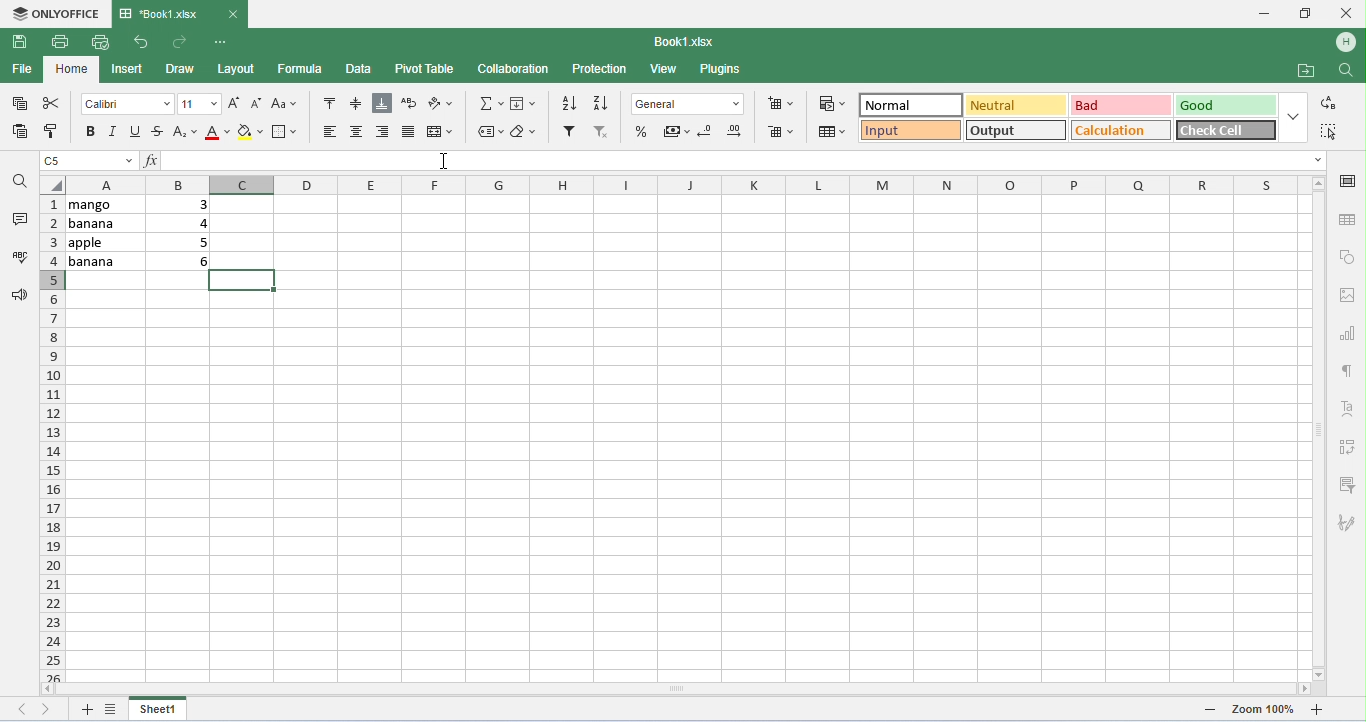  I want to click on collaboration, so click(515, 69).